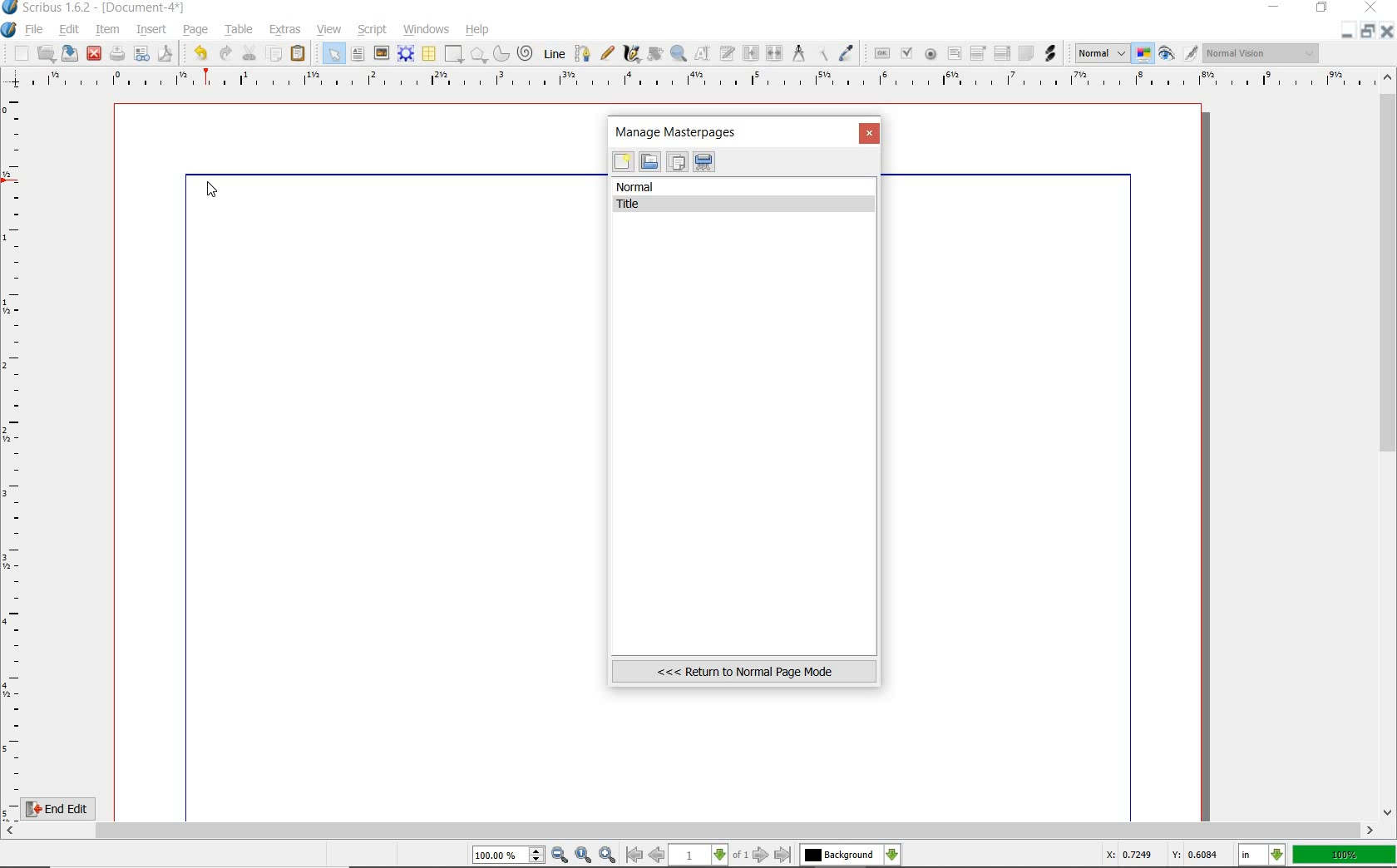 The height and width of the screenshot is (868, 1397). Describe the element at coordinates (553, 53) in the screenshot. I see `line` at that location.